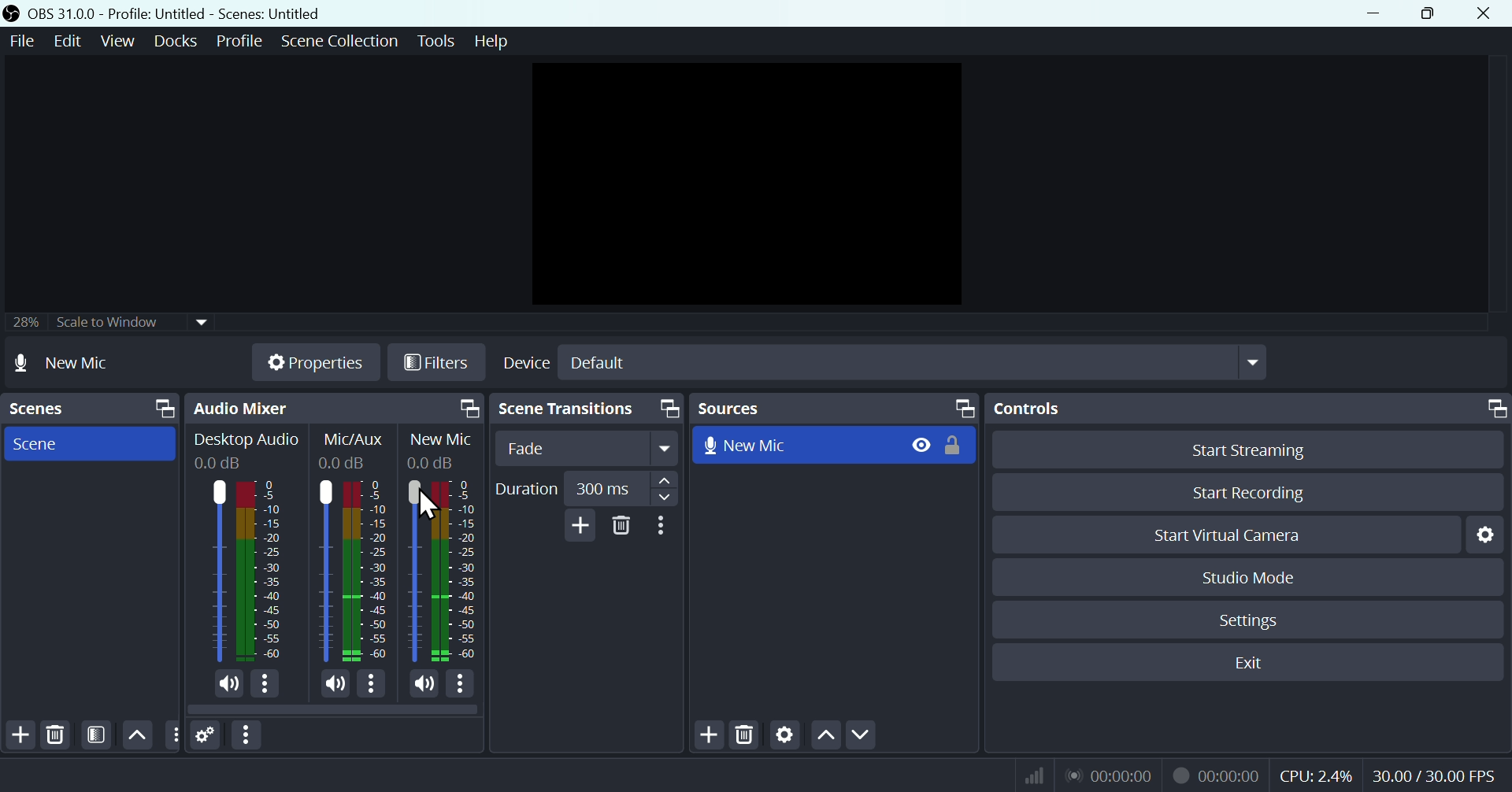 This screenshot has width=1512, height=792. Describe the element at coordinates (1260, 449) in the screenshot. I see `` at that location.